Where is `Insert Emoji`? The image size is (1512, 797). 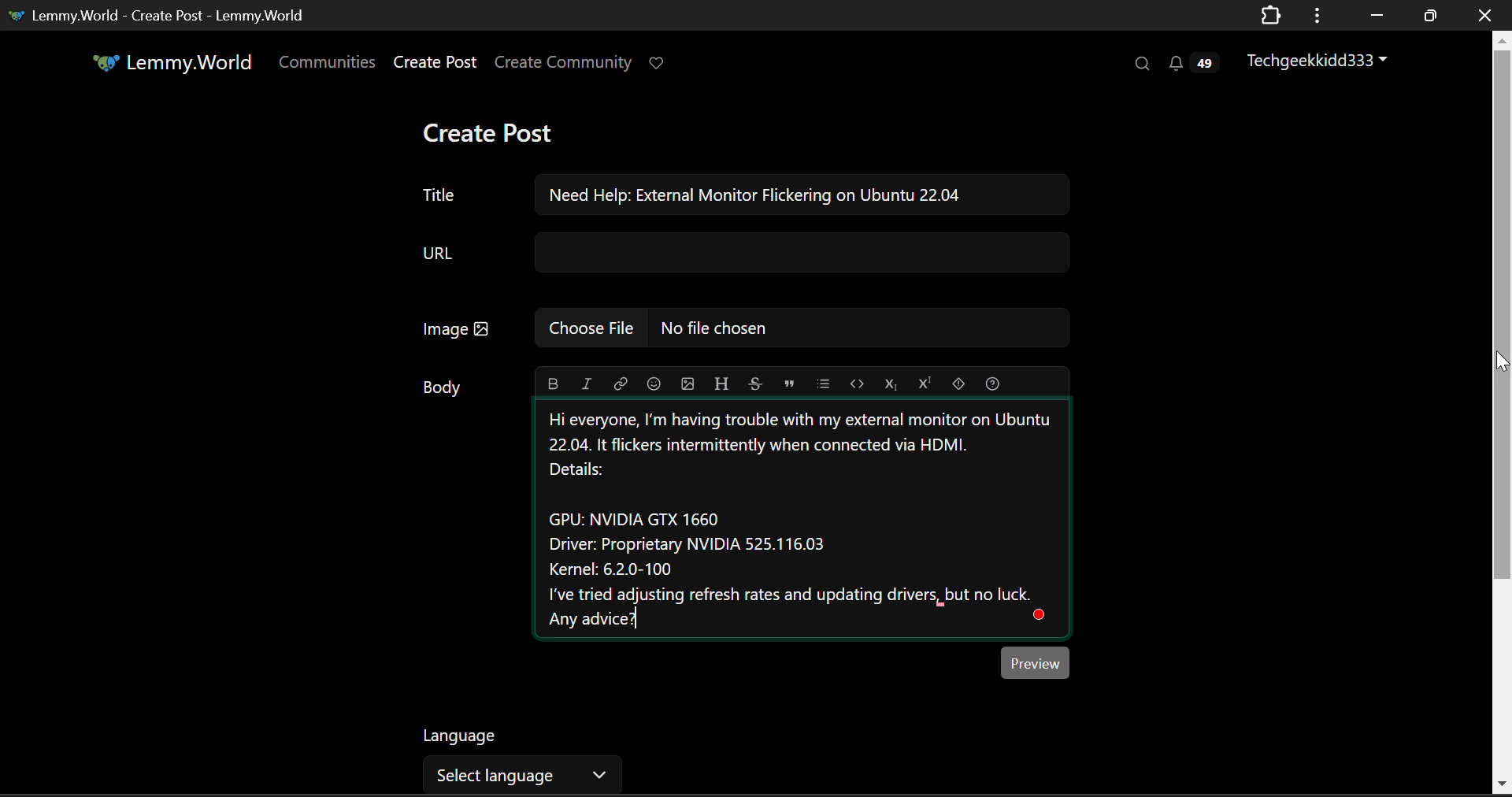
Insert Emoji is located at coordinates (654, 384).